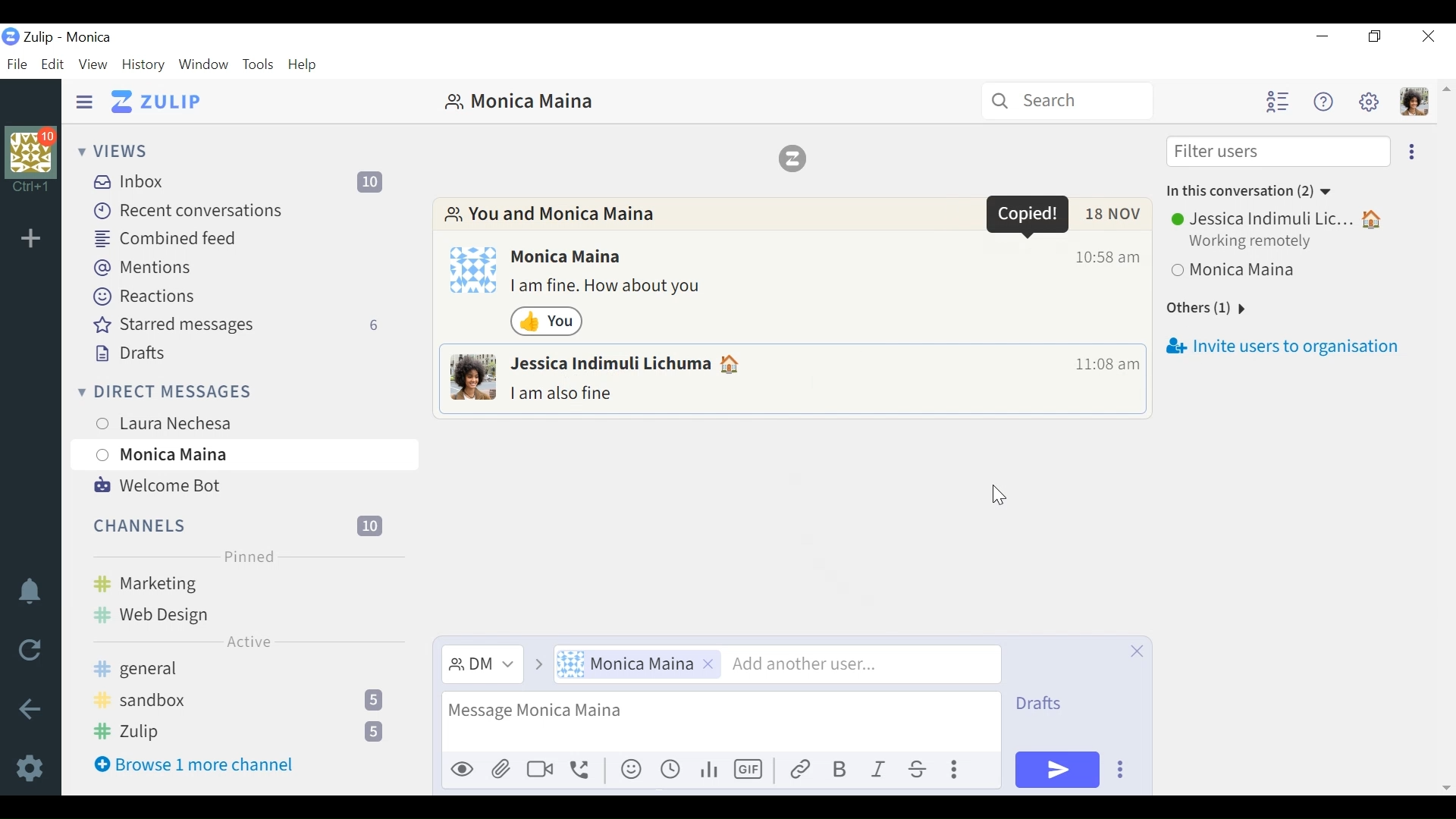 This screenshot has width=1456, height=819. What do you see at coordinates (240, 670) in the screenshot?
I see `general` at bounding box center [240, 670].